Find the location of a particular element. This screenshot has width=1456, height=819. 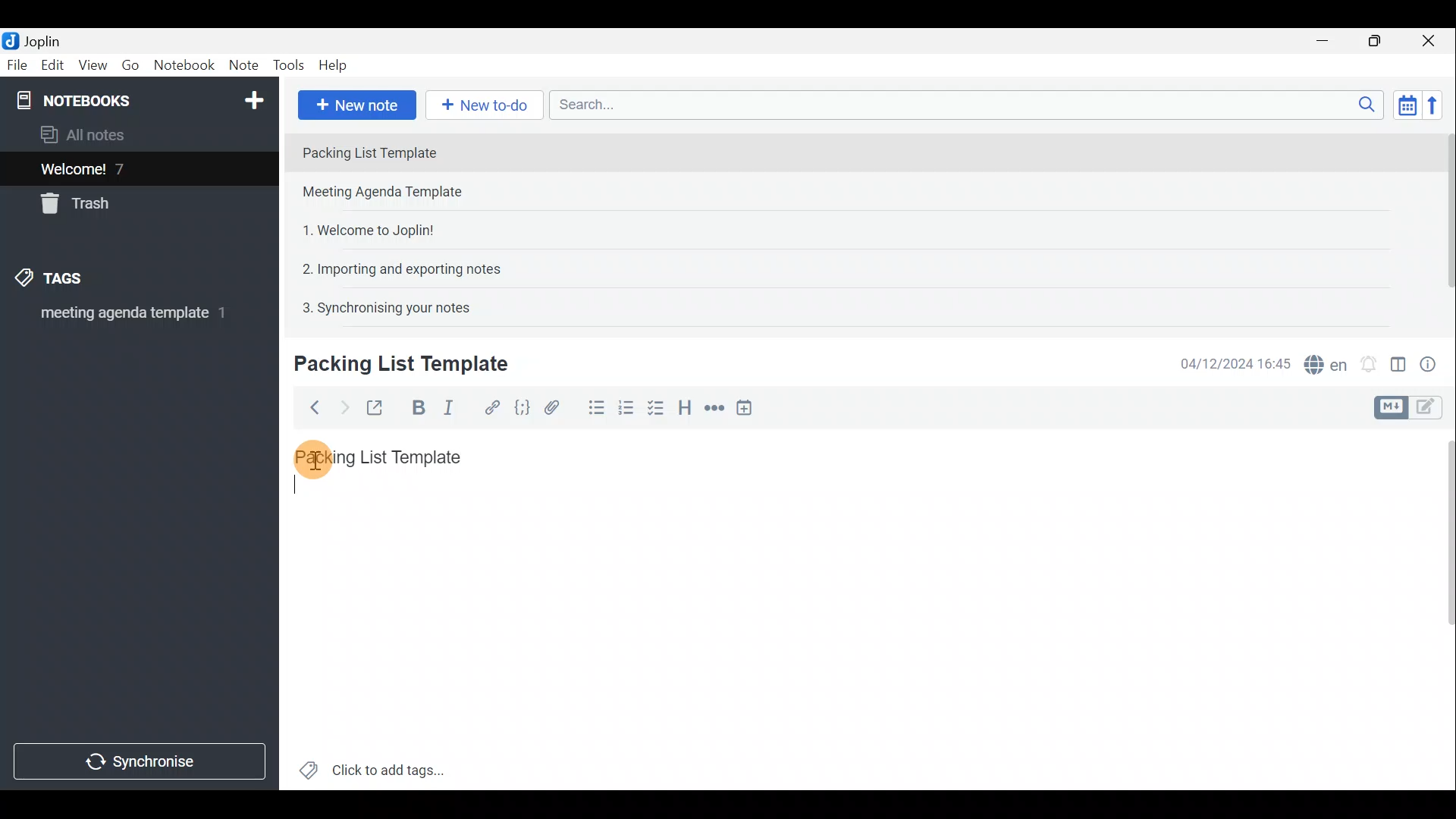

Tools is located at coordinates (290, 66).